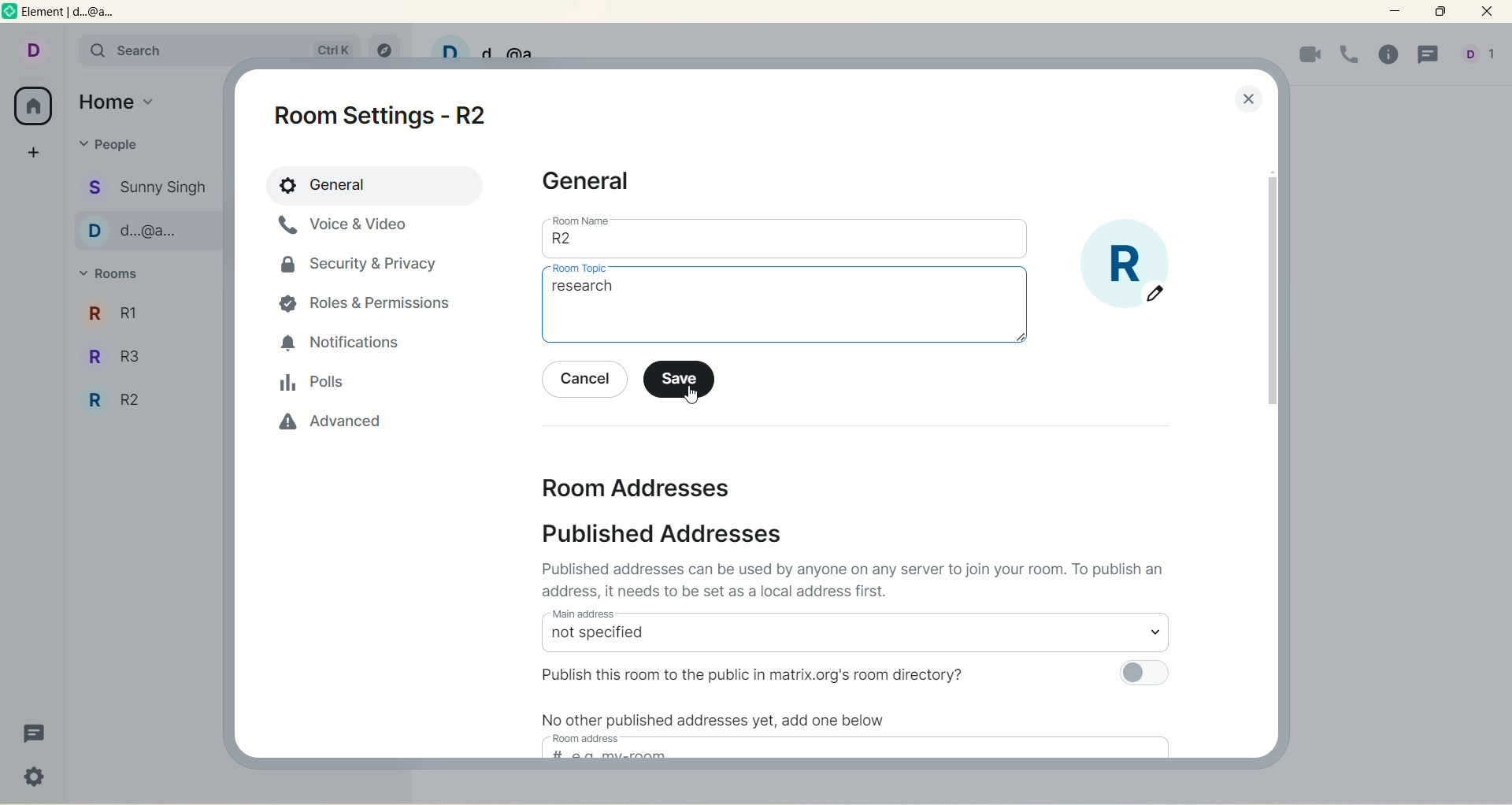 The image size is (1512, 805). Describe the element at coordinates (581, 220) in the screenshot. I see `room name` at that location.